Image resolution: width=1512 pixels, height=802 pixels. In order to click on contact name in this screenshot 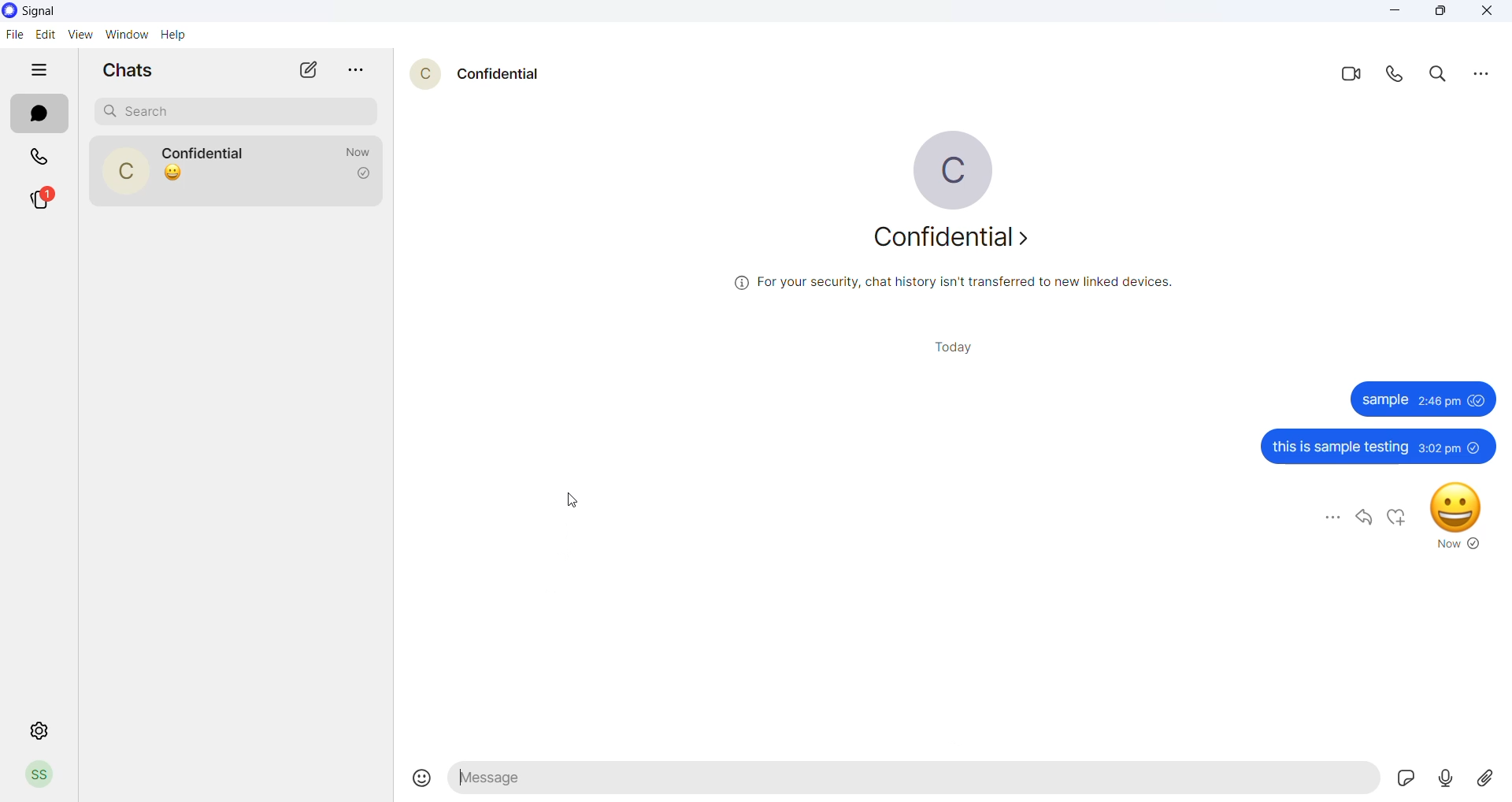, I will do `click(502, 74)`.